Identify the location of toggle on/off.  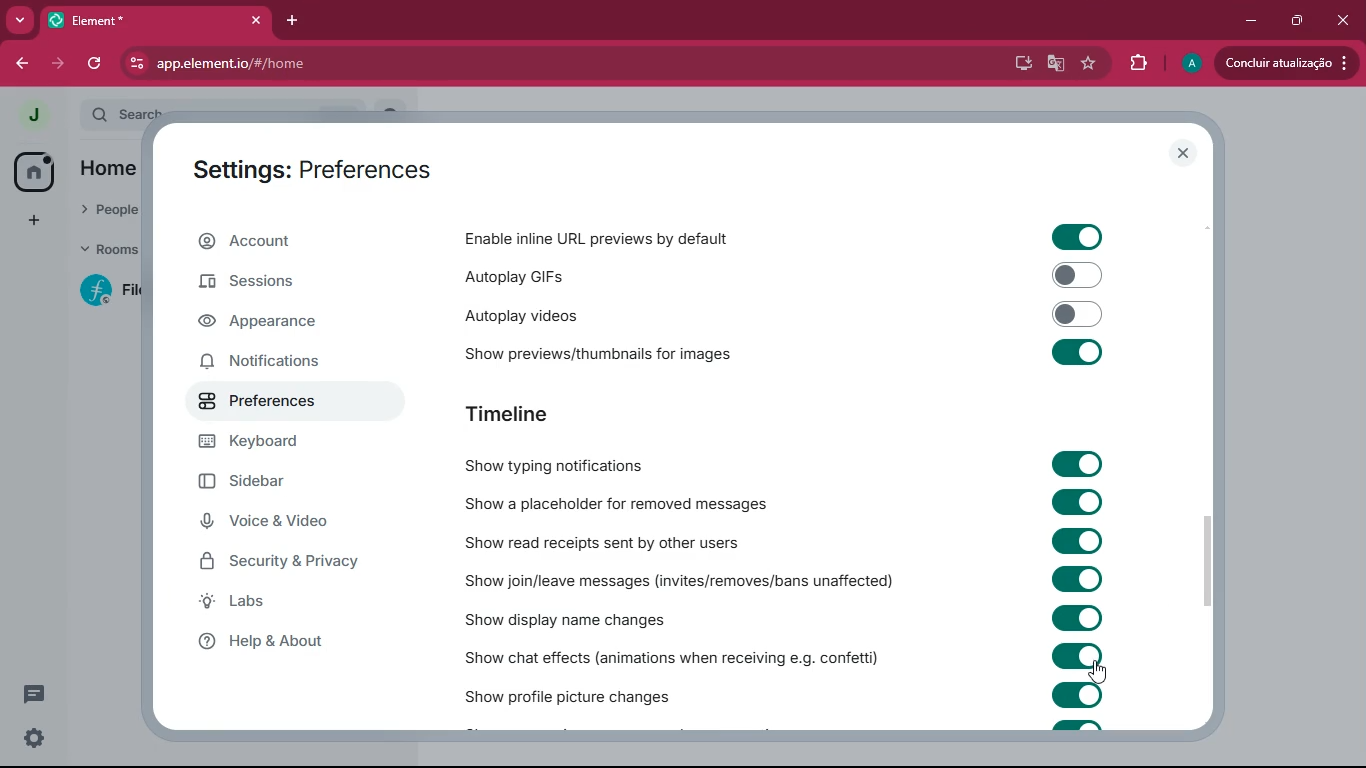
(1076, 618).